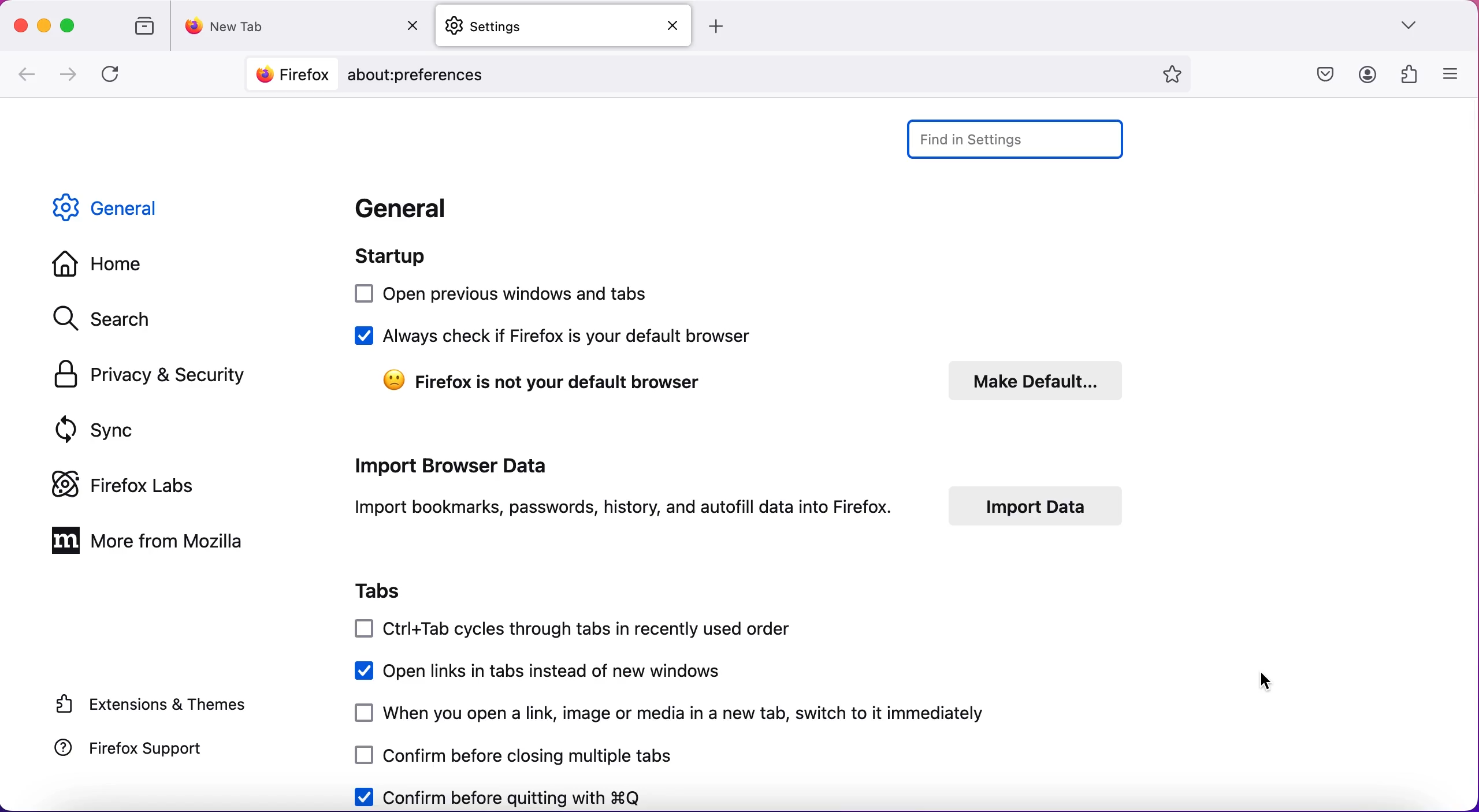  Describe the element at coordinates (159, 376) in the screenshot. I see `privacy and security` at that location.